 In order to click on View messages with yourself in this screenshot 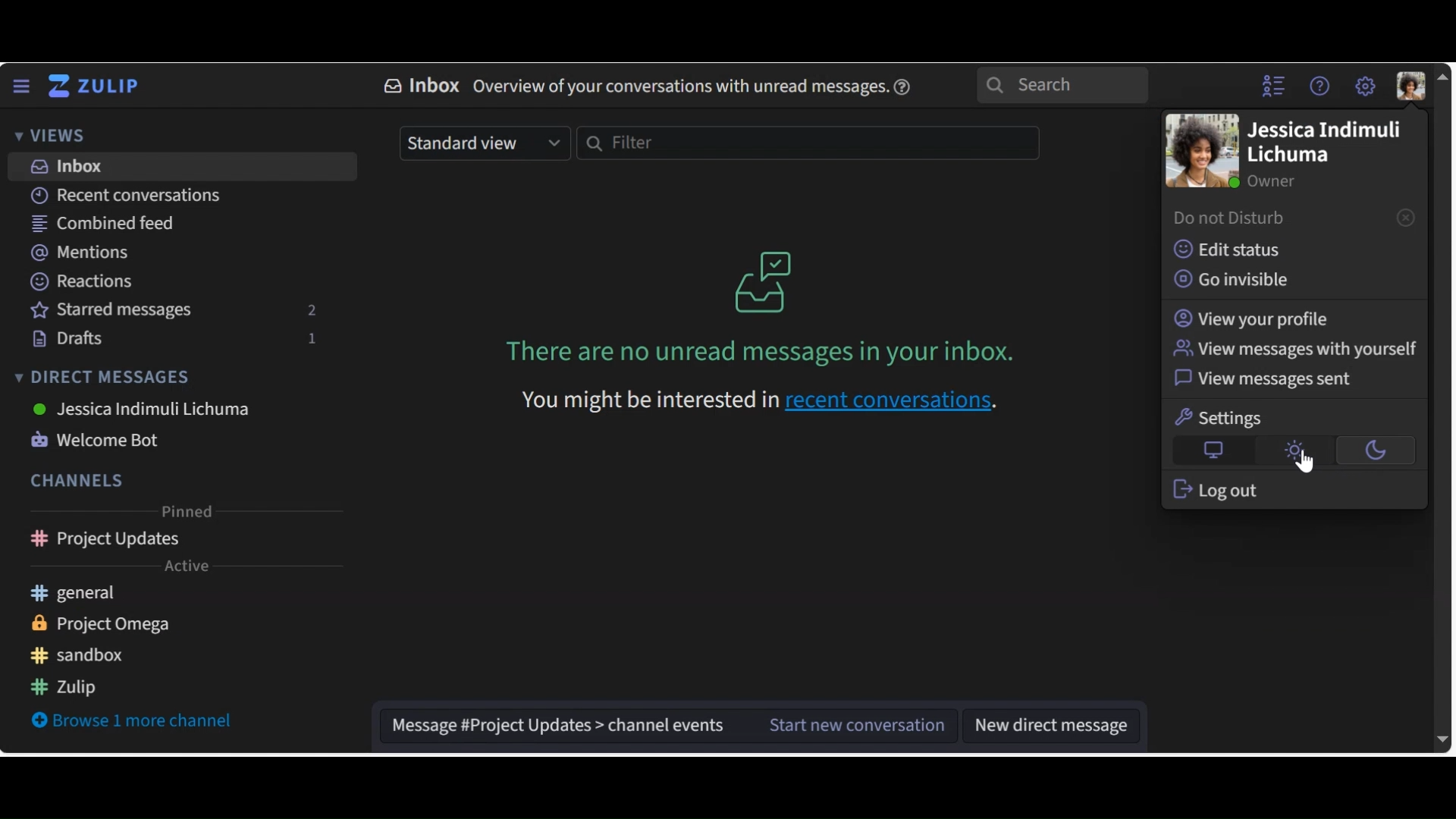, I will do `click(1294, 350)`.